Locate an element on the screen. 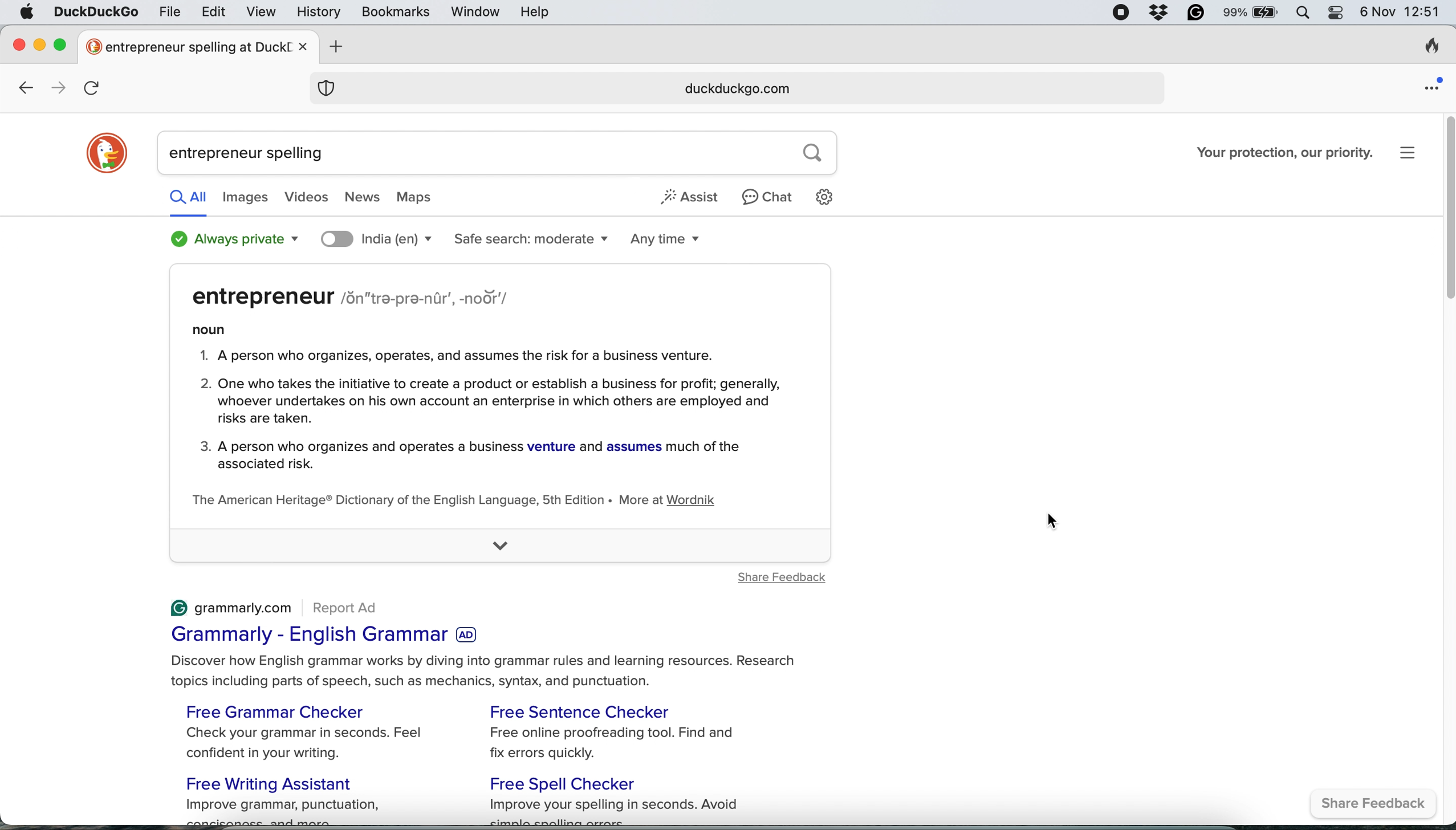 This screenshot has width=1456, height=830. 99% is located at coordinates (1231, 14).